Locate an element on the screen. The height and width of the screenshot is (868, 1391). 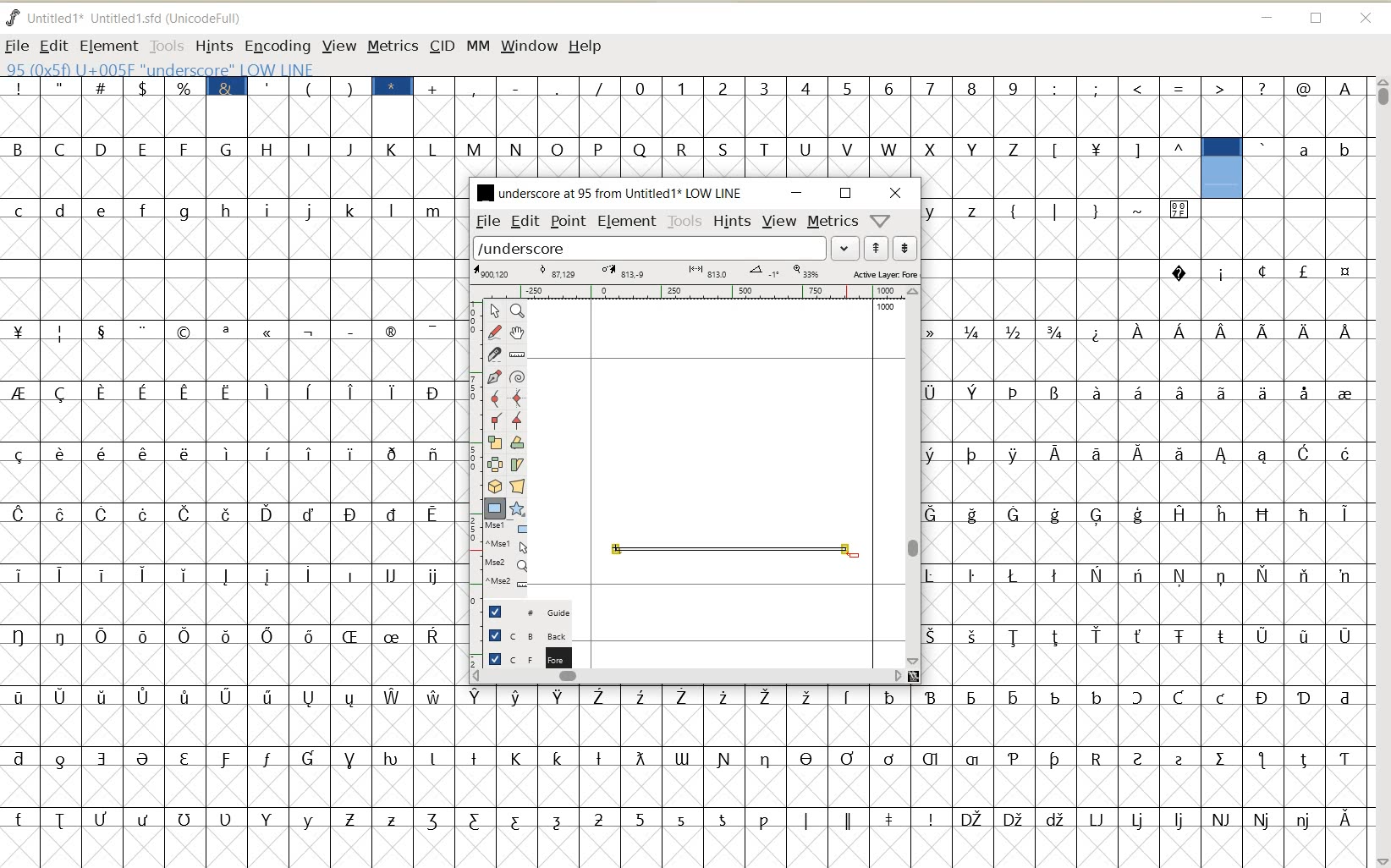
EDIT is located at coordinates (52, 47).